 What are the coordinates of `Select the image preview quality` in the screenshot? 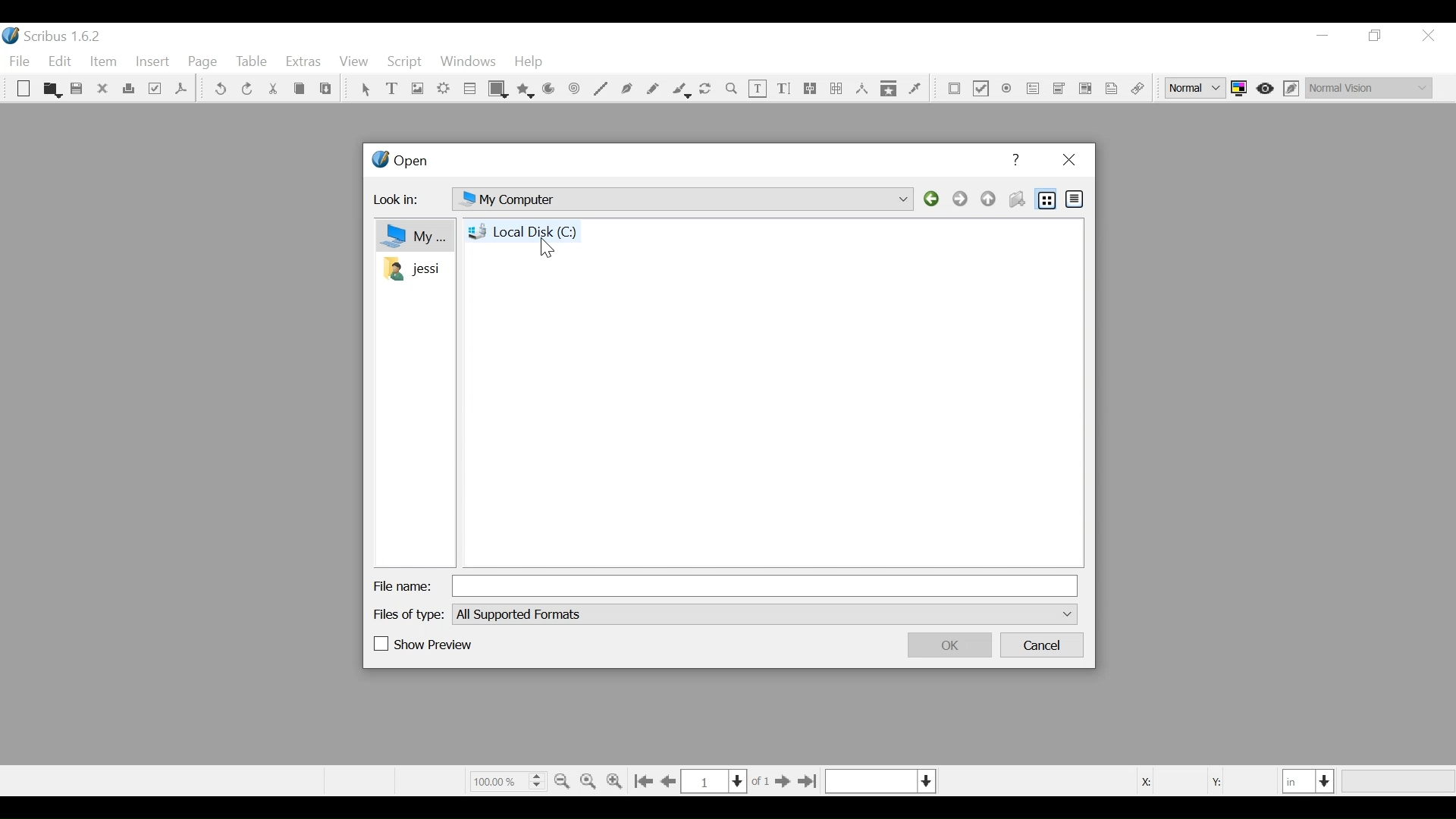 It's located at (1197, 88).